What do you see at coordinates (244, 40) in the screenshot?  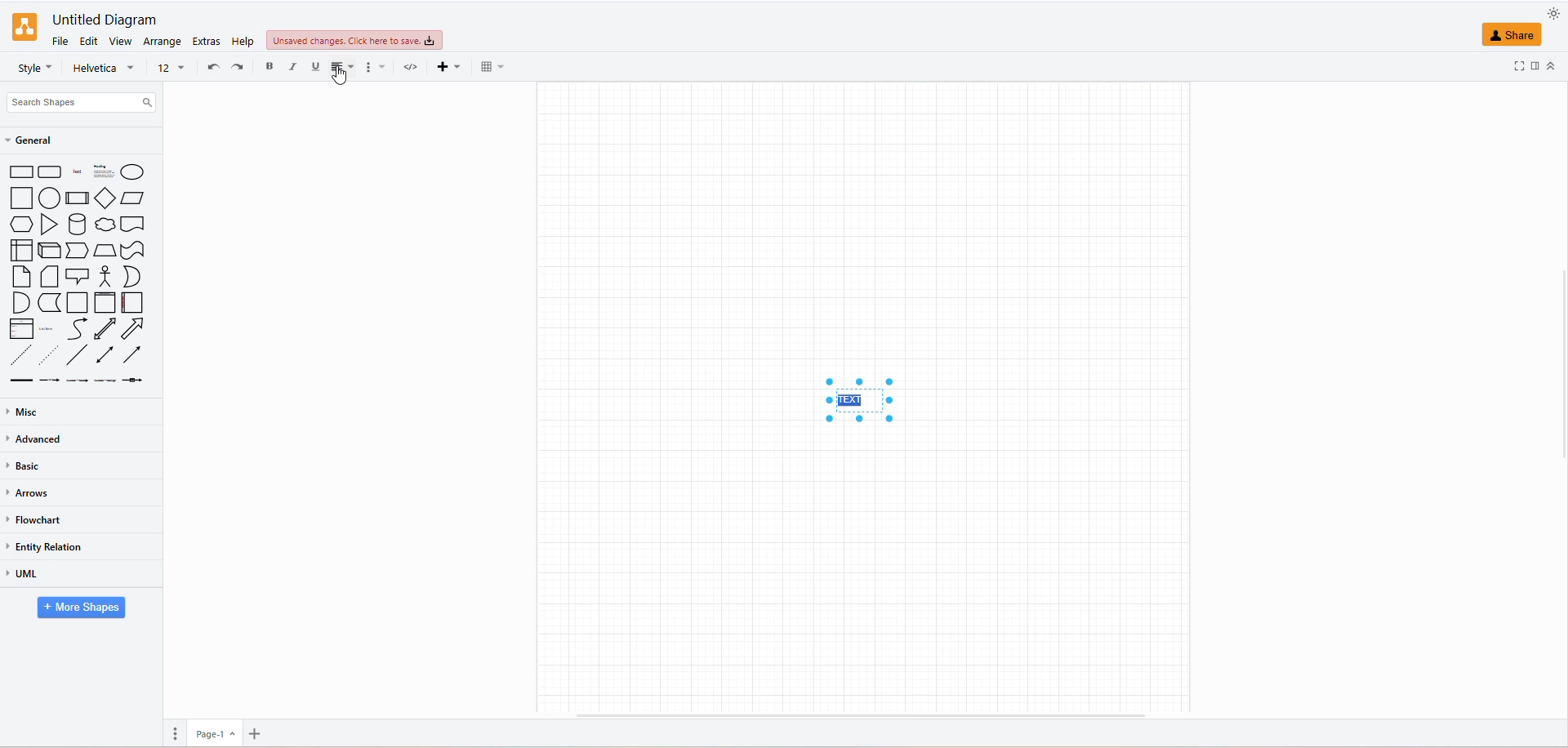 I see `help` at bounding box center [244, 40].